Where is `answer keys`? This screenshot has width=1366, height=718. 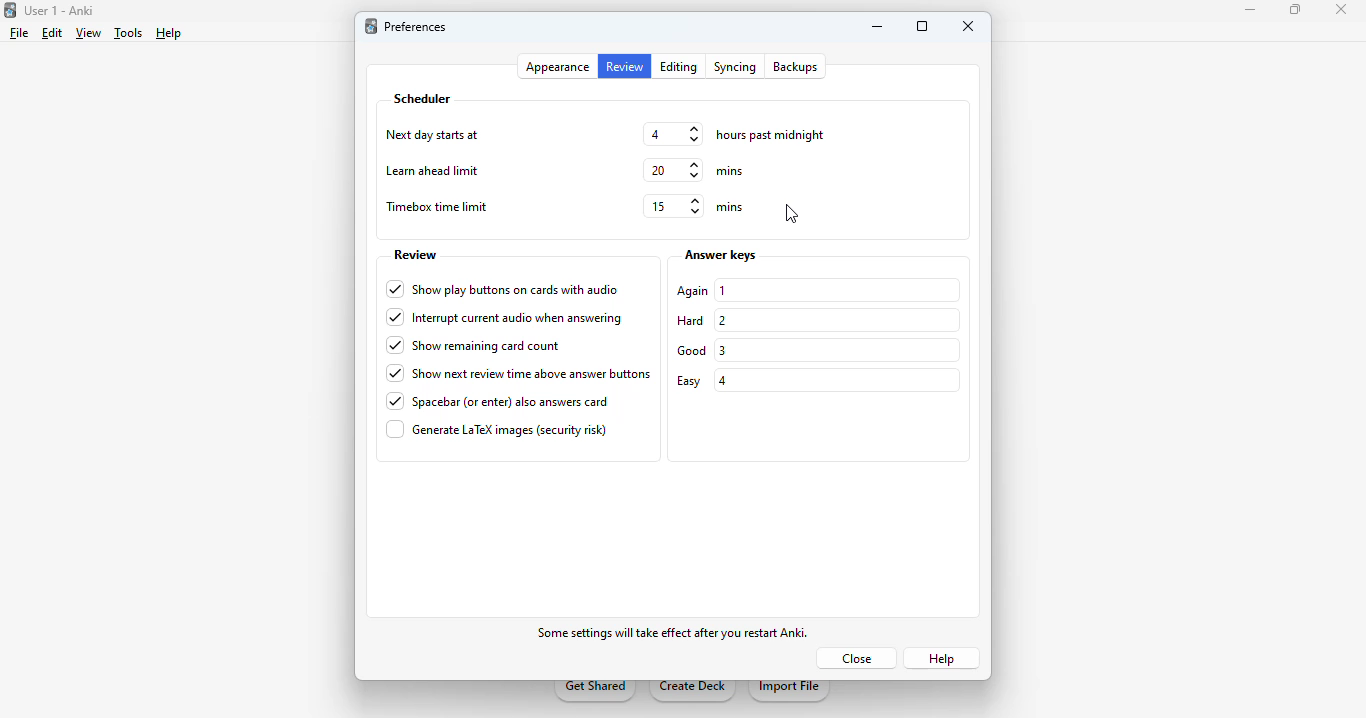
answer keys is located at coordinates (722, 255).